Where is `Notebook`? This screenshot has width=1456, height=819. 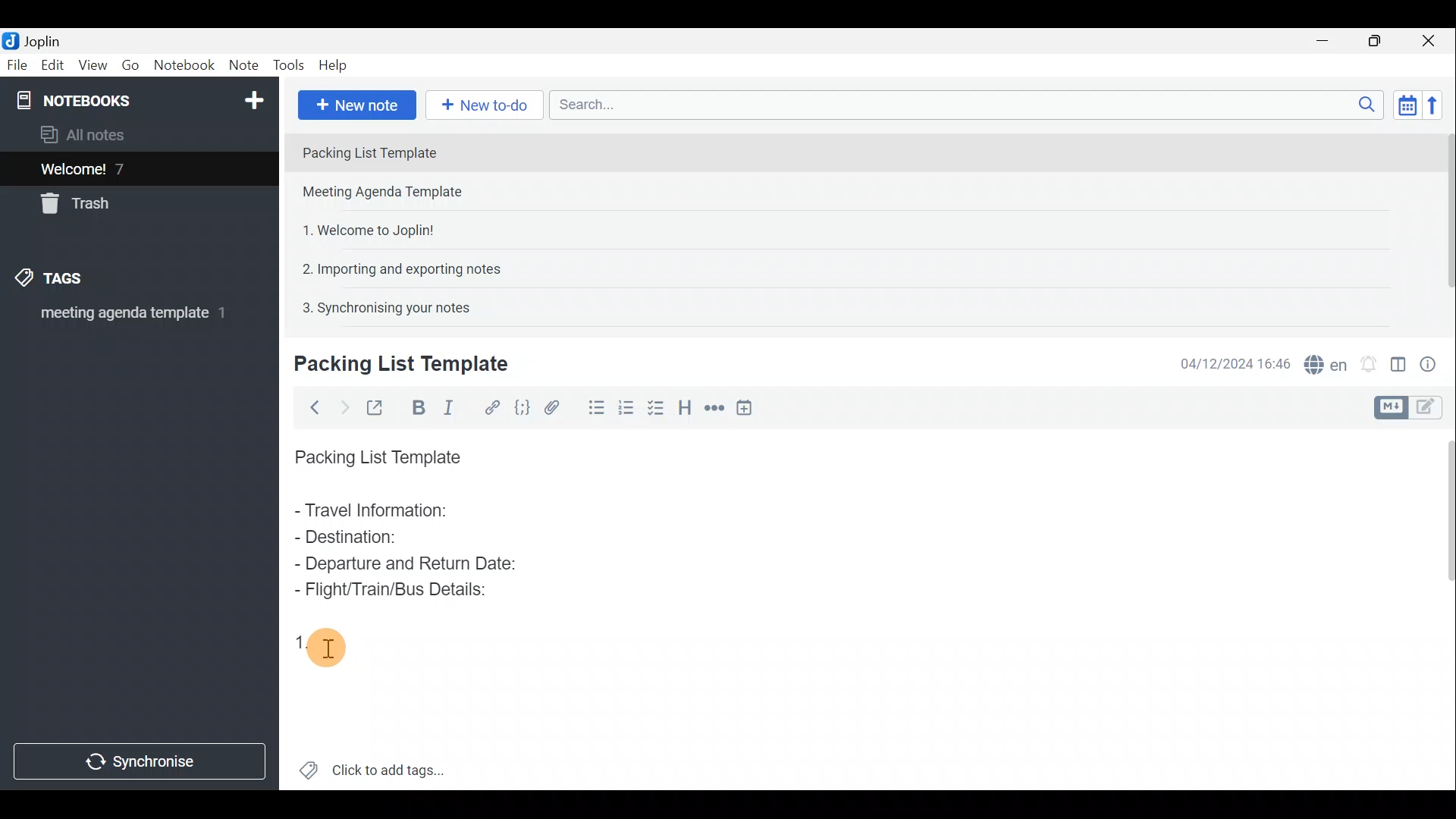
Notebook is located at coordinates (184, 67).